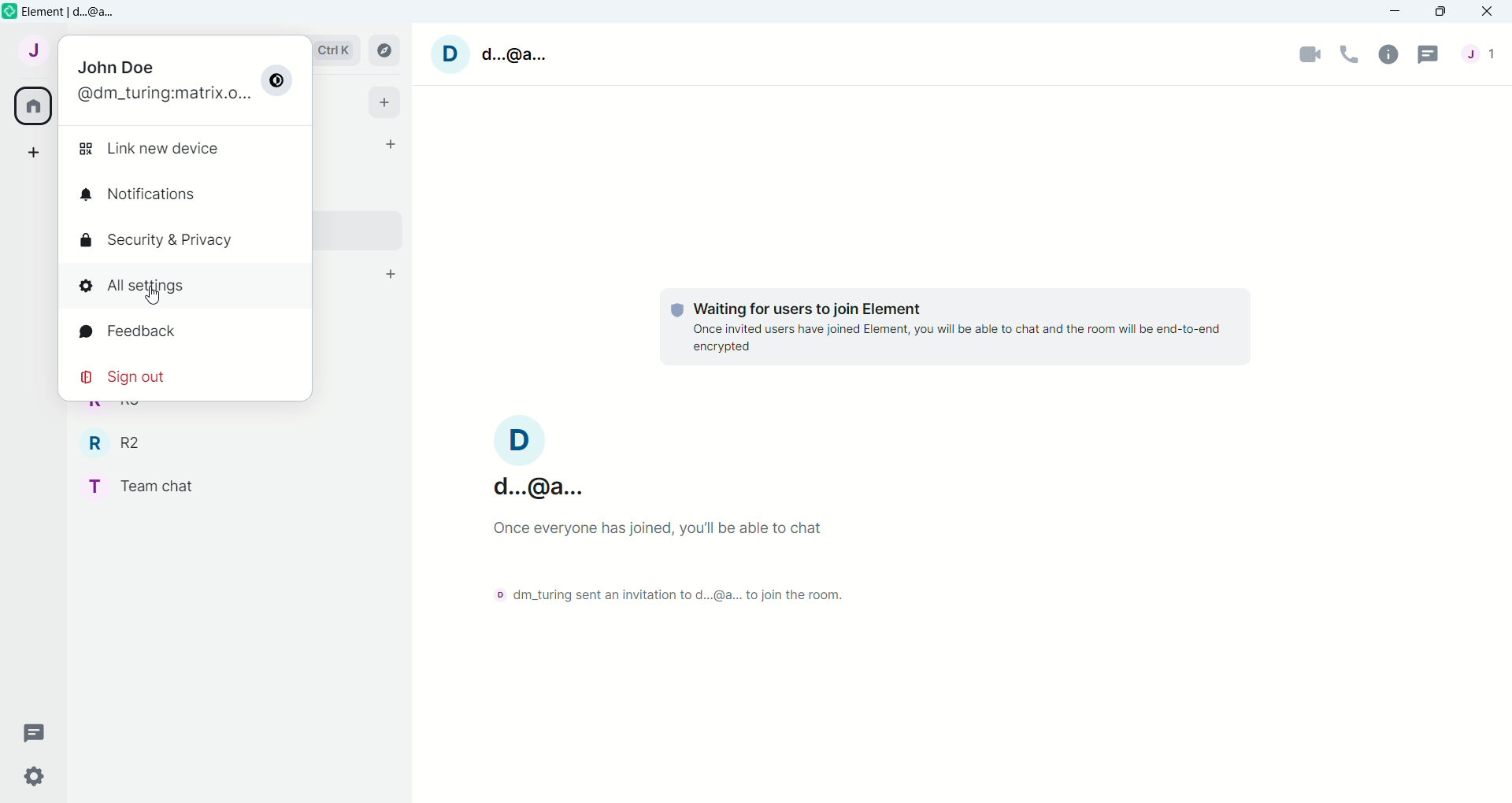 The image size is (1512, 803). Describe the element at coordinates (1428, 57) in the screenshot. I see `Threads` at that location.